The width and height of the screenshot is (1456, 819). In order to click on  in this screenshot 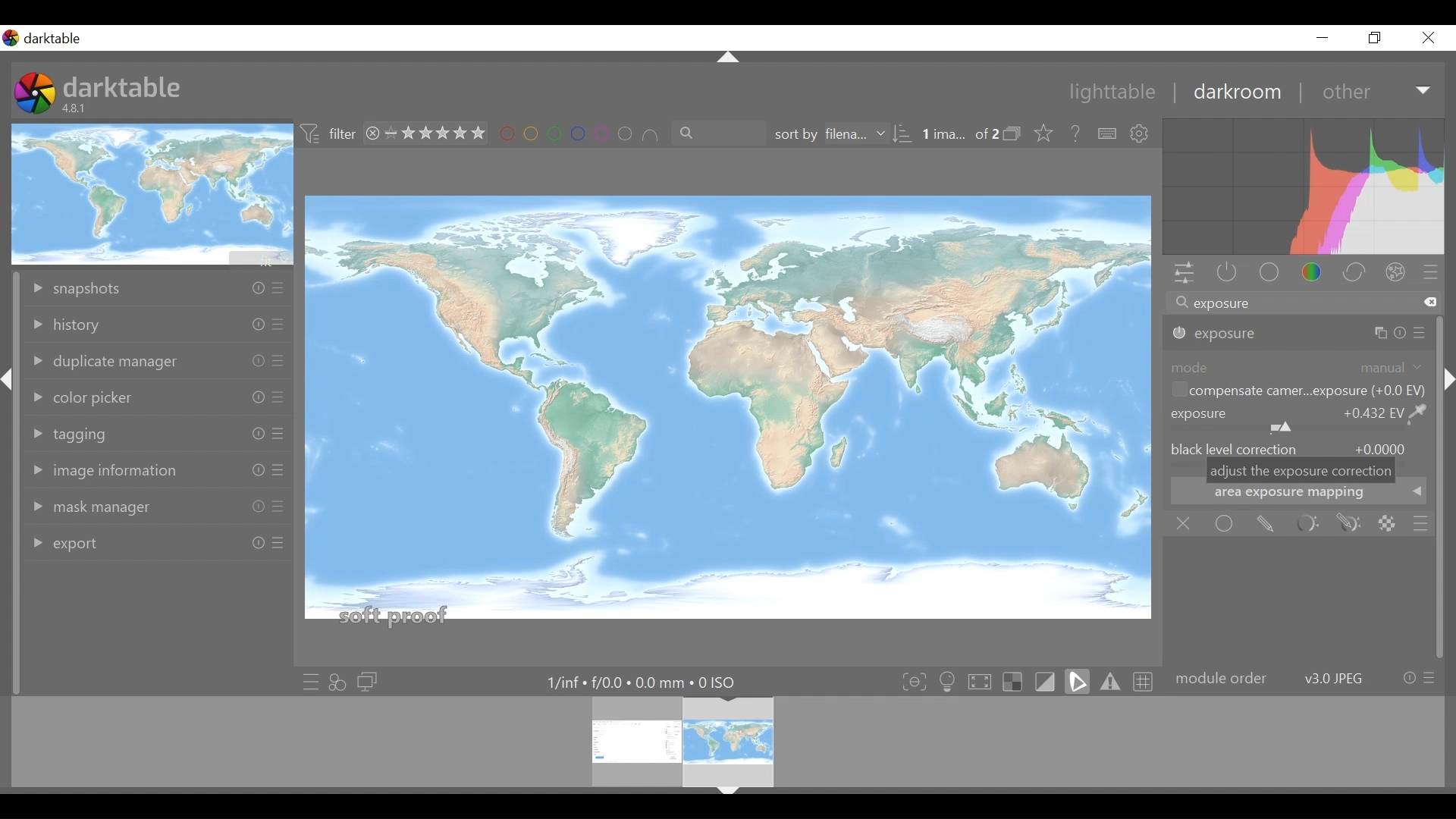, I will do `click(254, 360)`.